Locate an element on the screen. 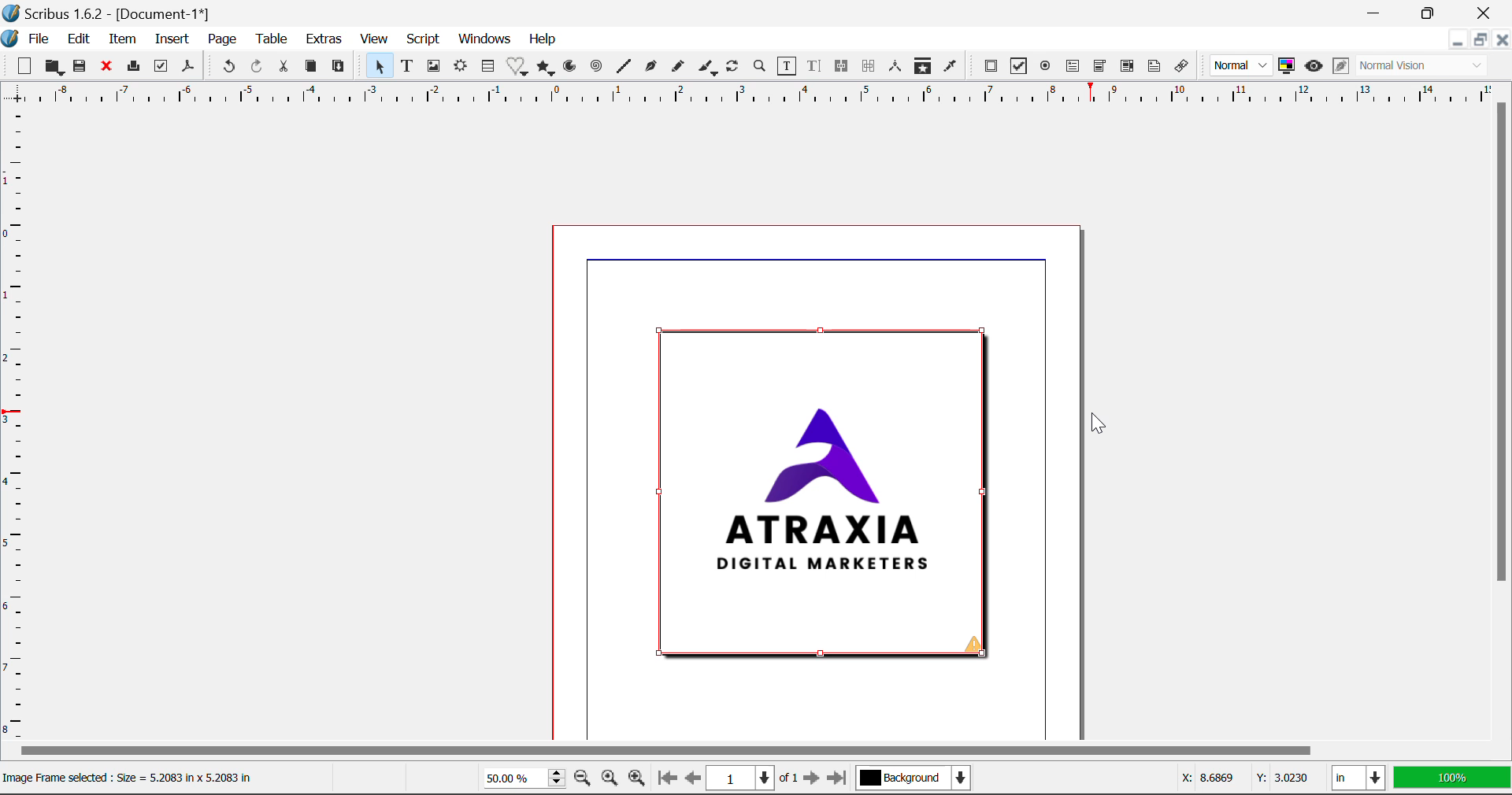 This screenshot has height=795, width=1512. Next page is located at coordinates (813, 778).